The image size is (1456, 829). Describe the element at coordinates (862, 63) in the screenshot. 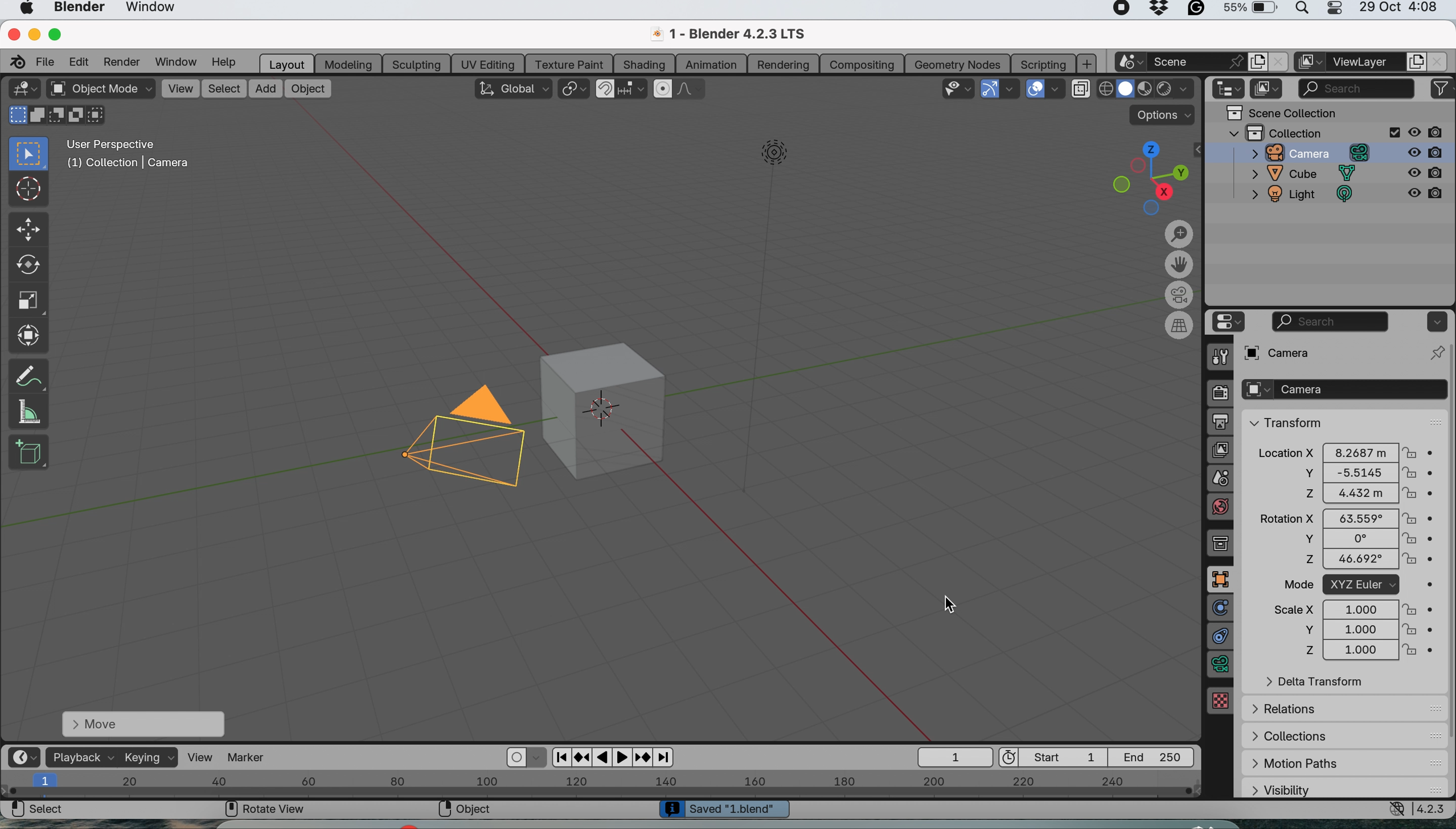

I see `compositing` at that location.